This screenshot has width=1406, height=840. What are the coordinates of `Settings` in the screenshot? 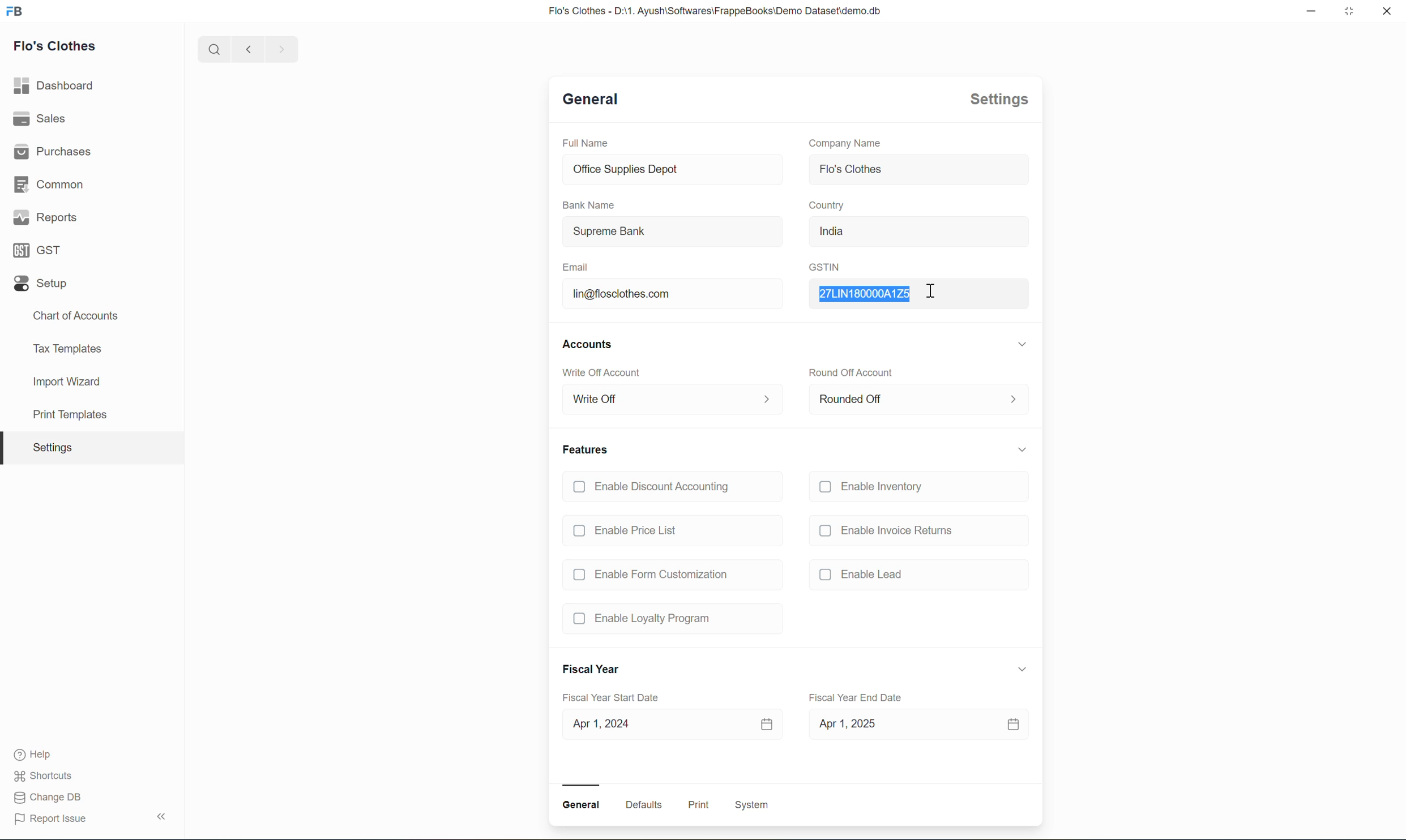 It's located at (50, 447).